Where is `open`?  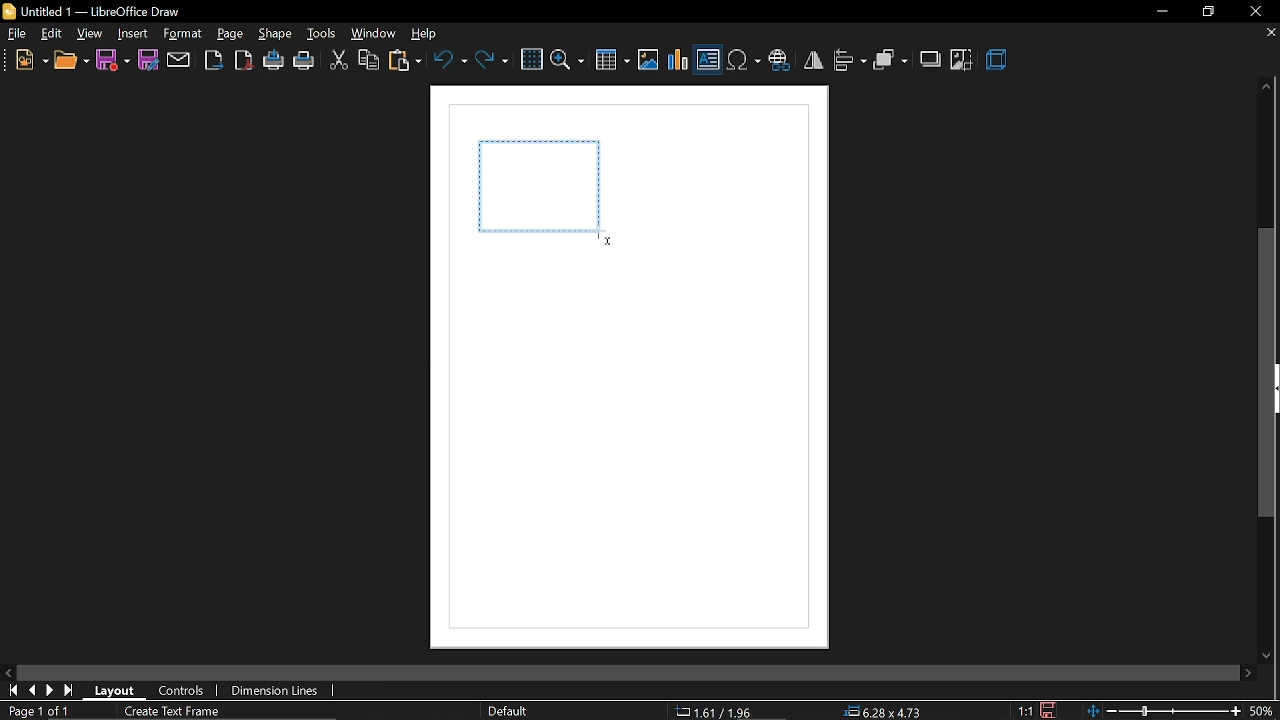 open is located at coordinates (71, 63).